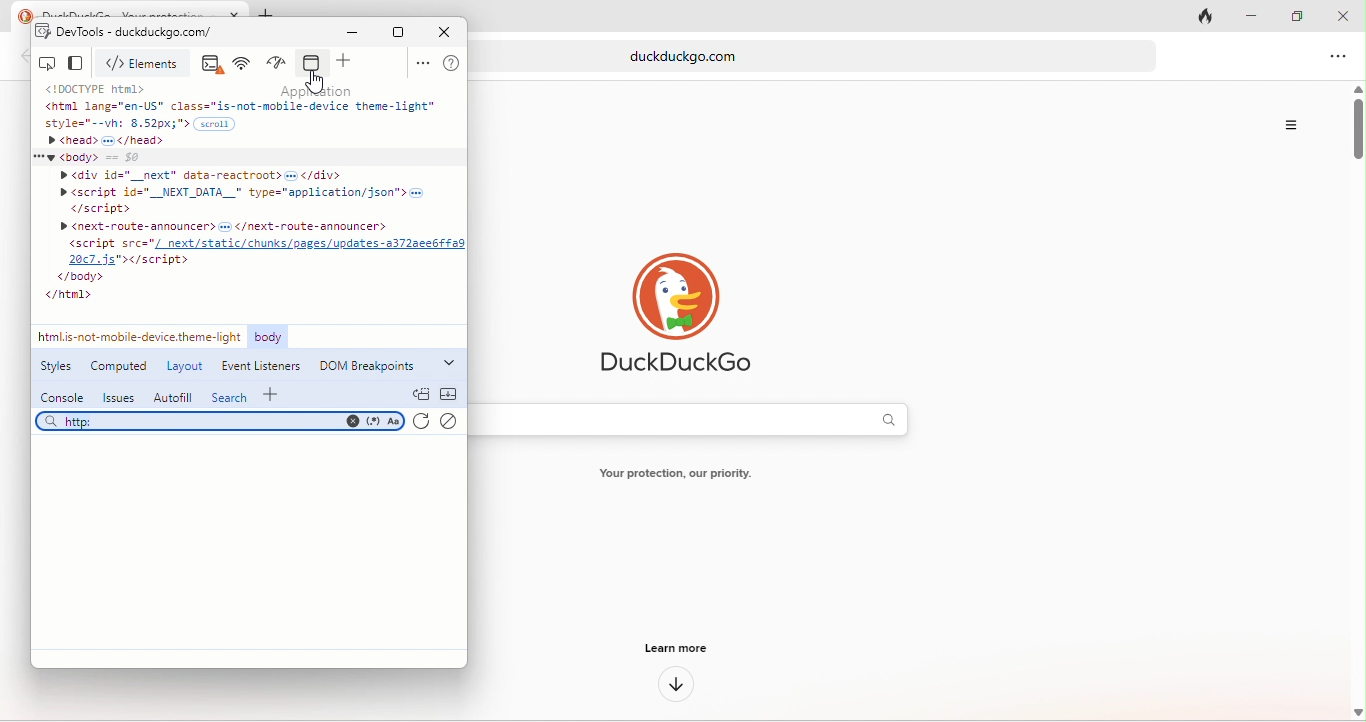 This screenshot has width=1366, height=722. What do you see at coordinates (452, 64) in the screenshot?
I see `help` at bounding box center [452, 64].